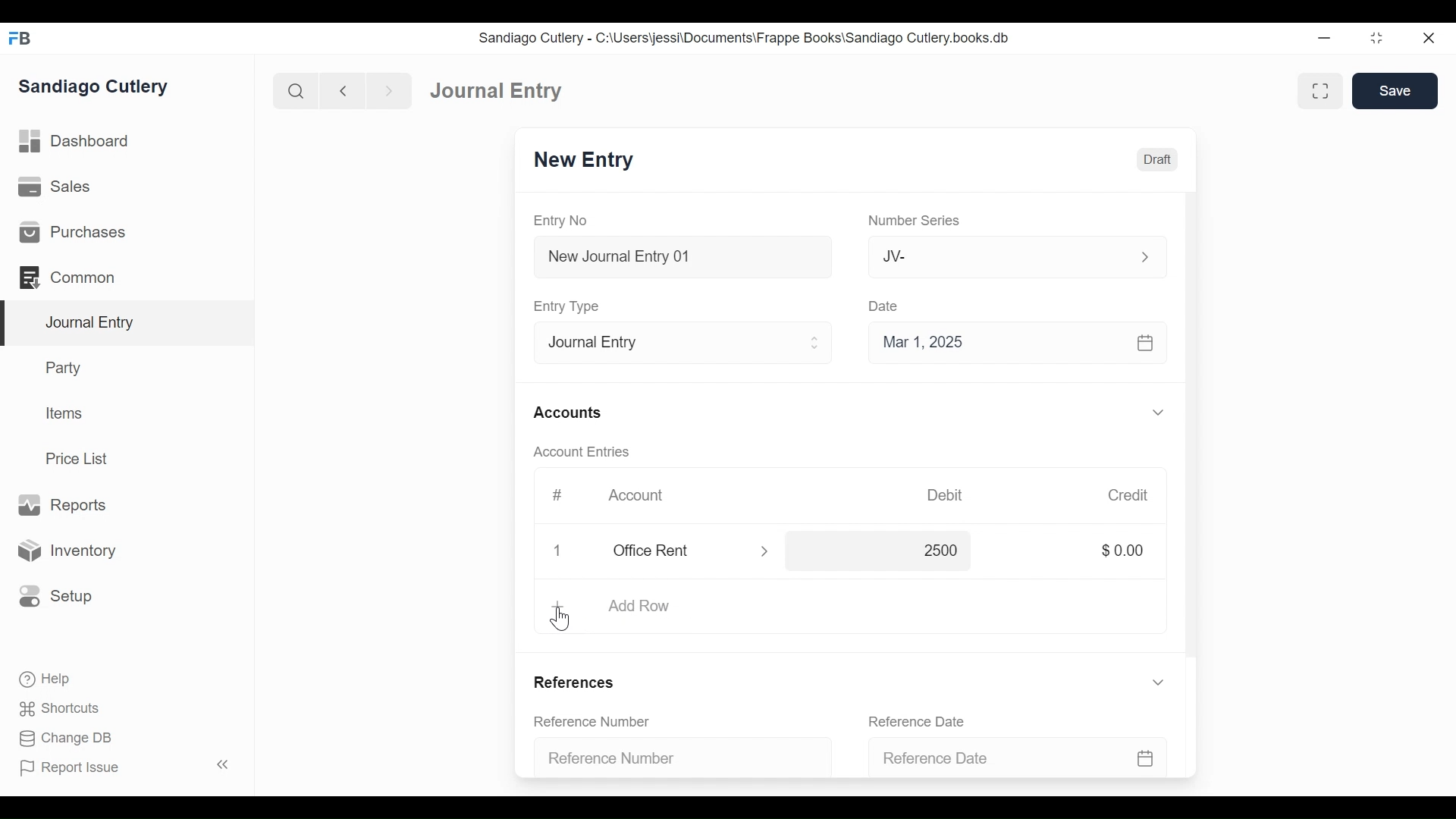  I want to click on FrappeBooks logo, so click(19, 38).